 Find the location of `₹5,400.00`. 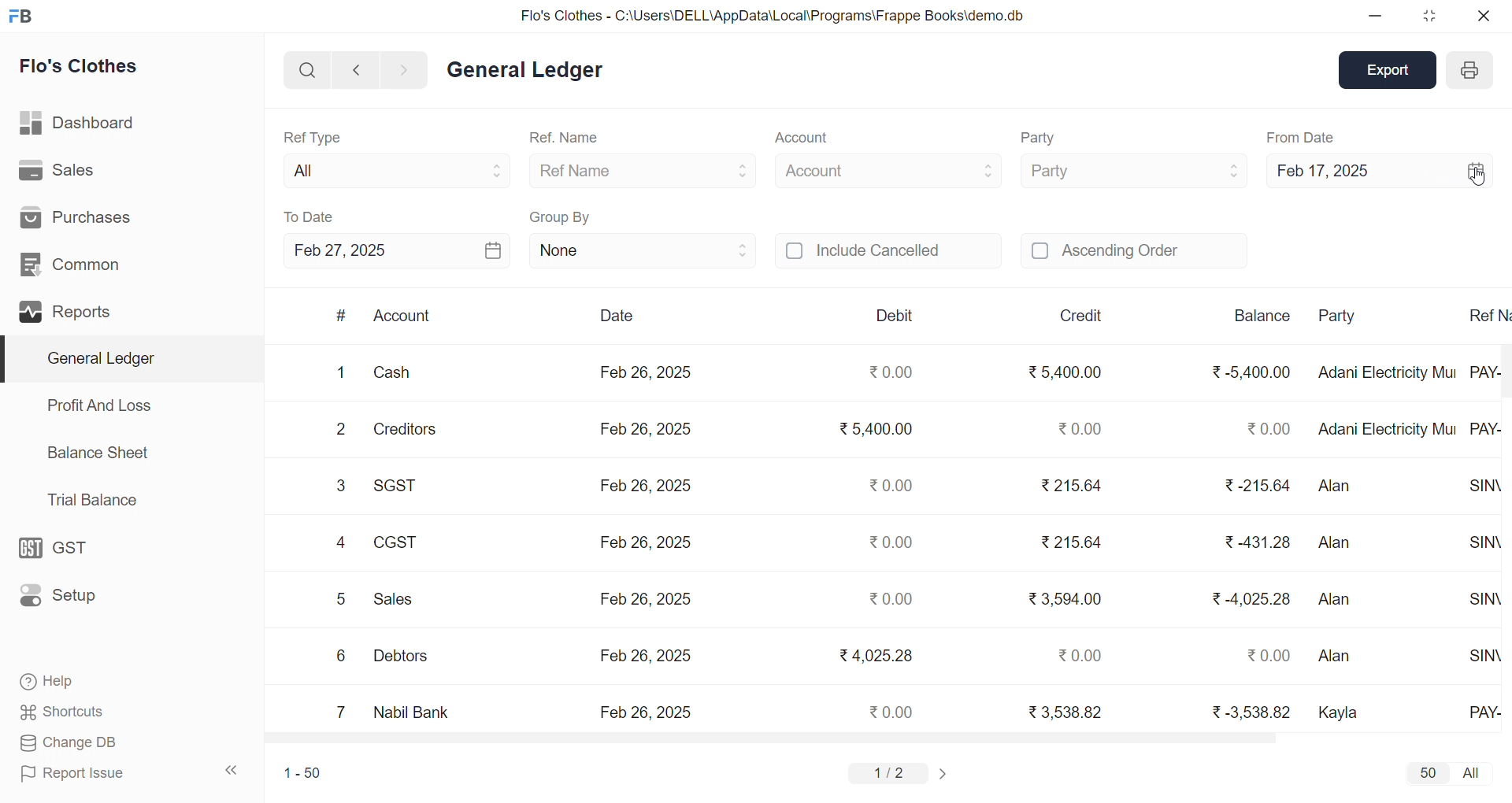

₹5,400.00 is located at coordinates (878, 431).